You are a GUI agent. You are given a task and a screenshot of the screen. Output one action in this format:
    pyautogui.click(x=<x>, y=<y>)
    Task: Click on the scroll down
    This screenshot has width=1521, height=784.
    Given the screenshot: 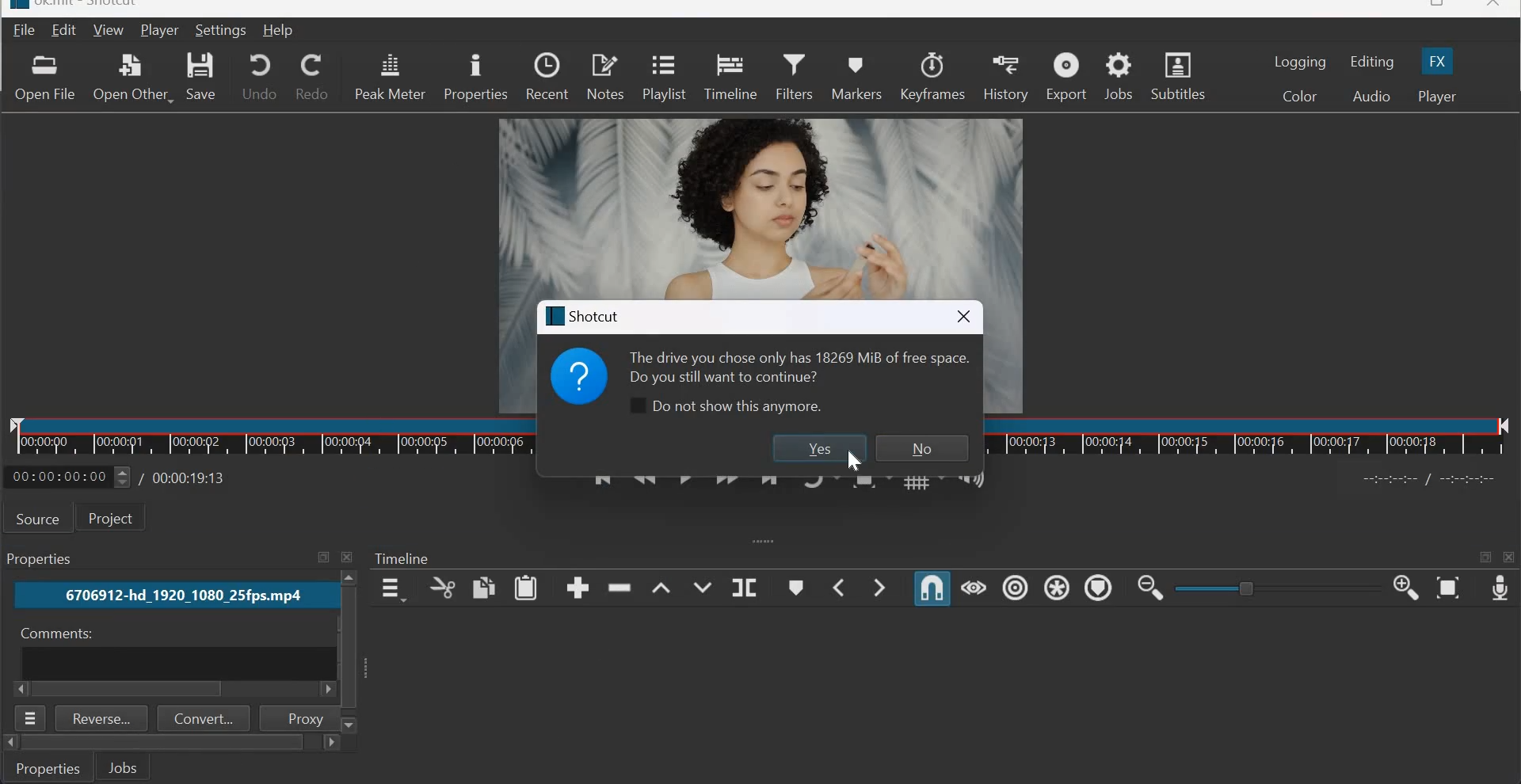 What is the action you would take?
    pyautogui.click(x=351, y=725)
    